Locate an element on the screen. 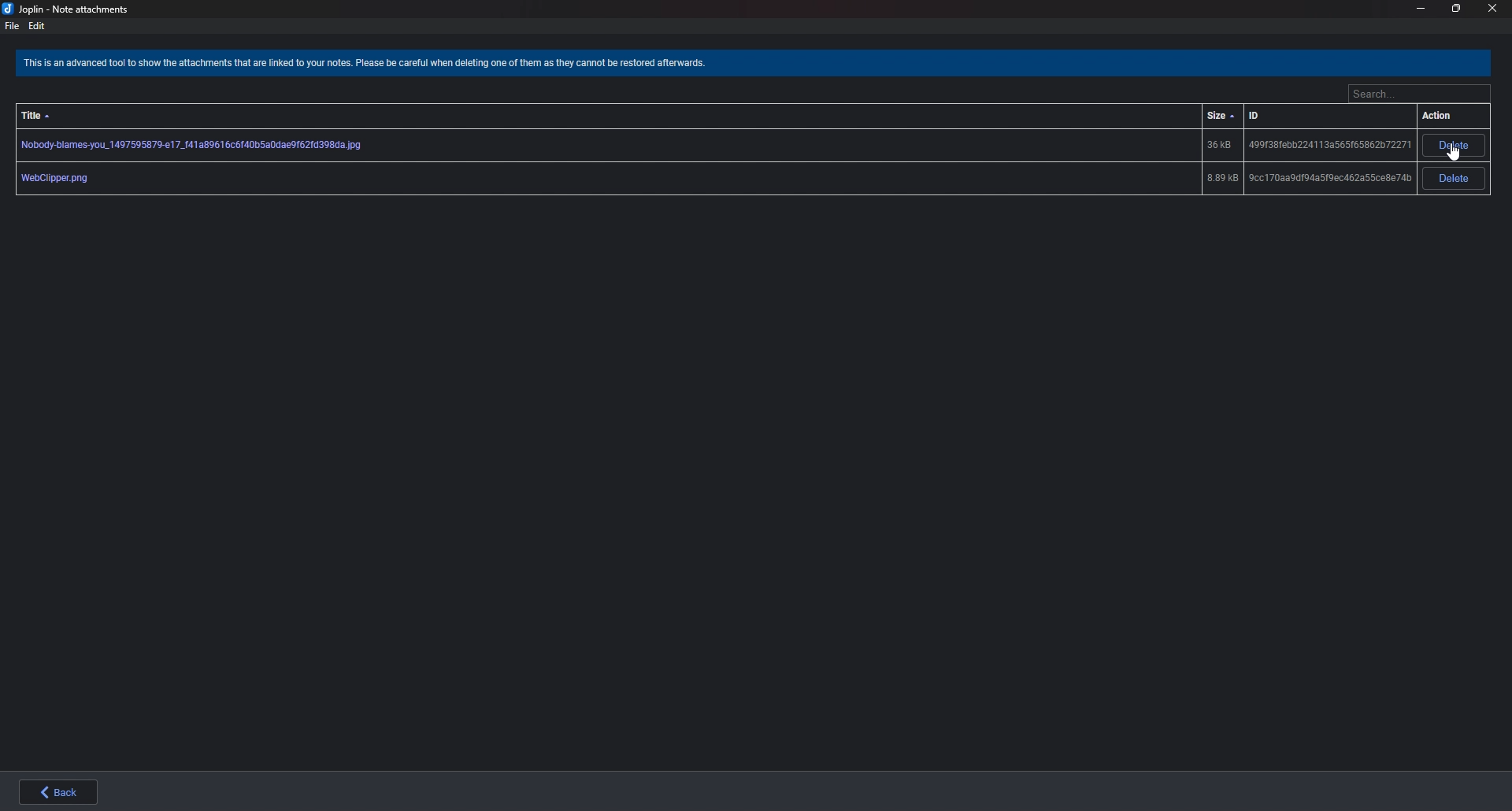  Attachment is located at coordinates (711, 179).